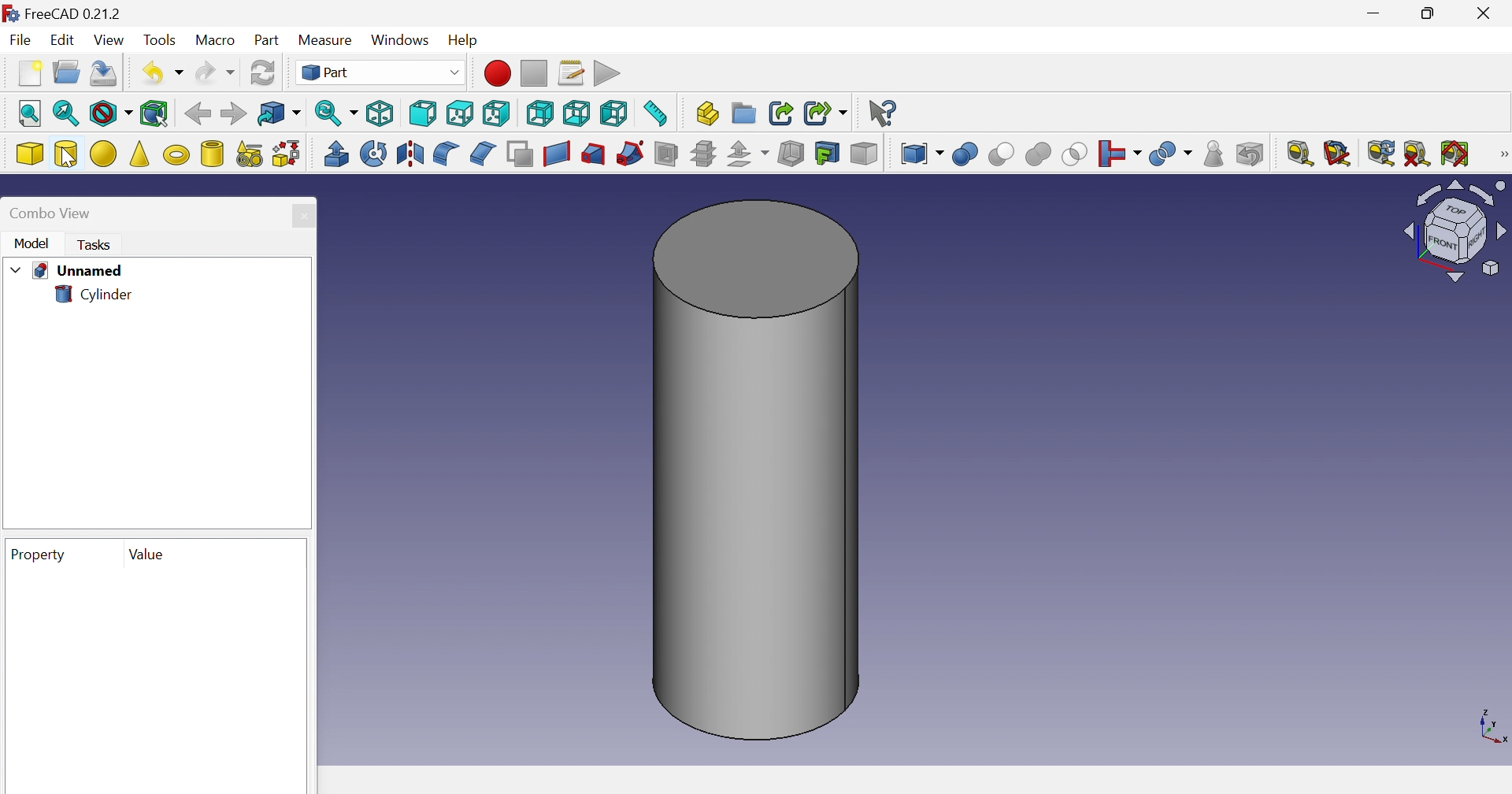 The width and height of the screenshot is (1512, 794). I want to click on x, y, z axis, so click(1492, 724).